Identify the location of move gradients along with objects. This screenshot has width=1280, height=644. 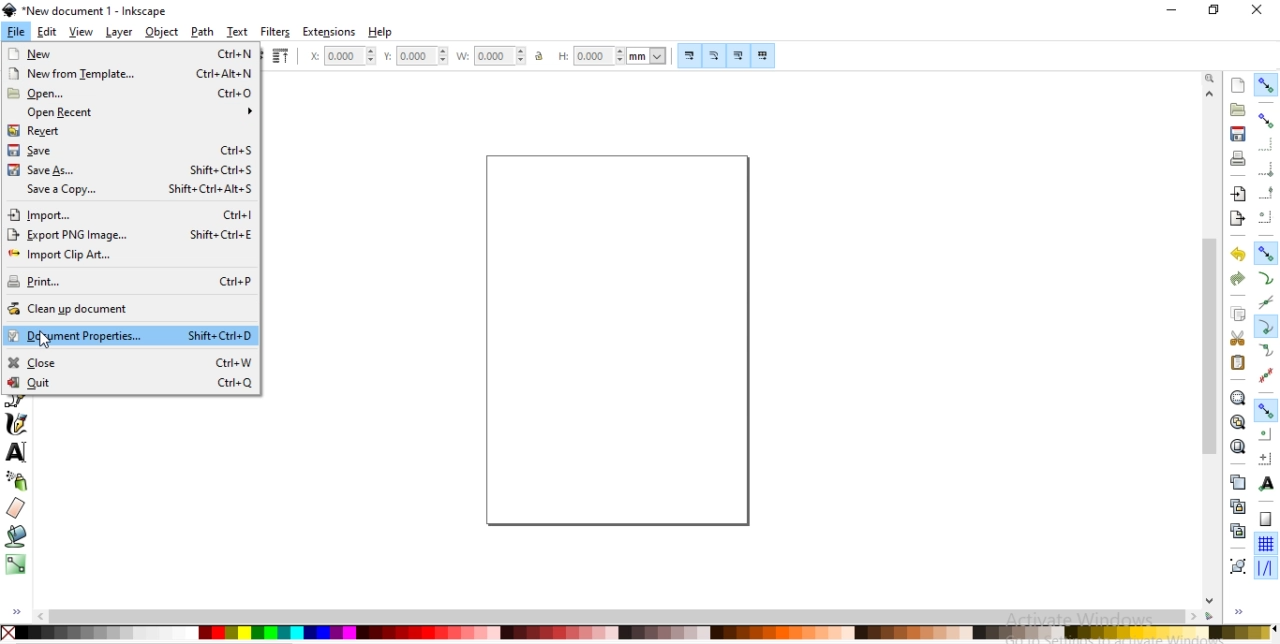
(737, 57).